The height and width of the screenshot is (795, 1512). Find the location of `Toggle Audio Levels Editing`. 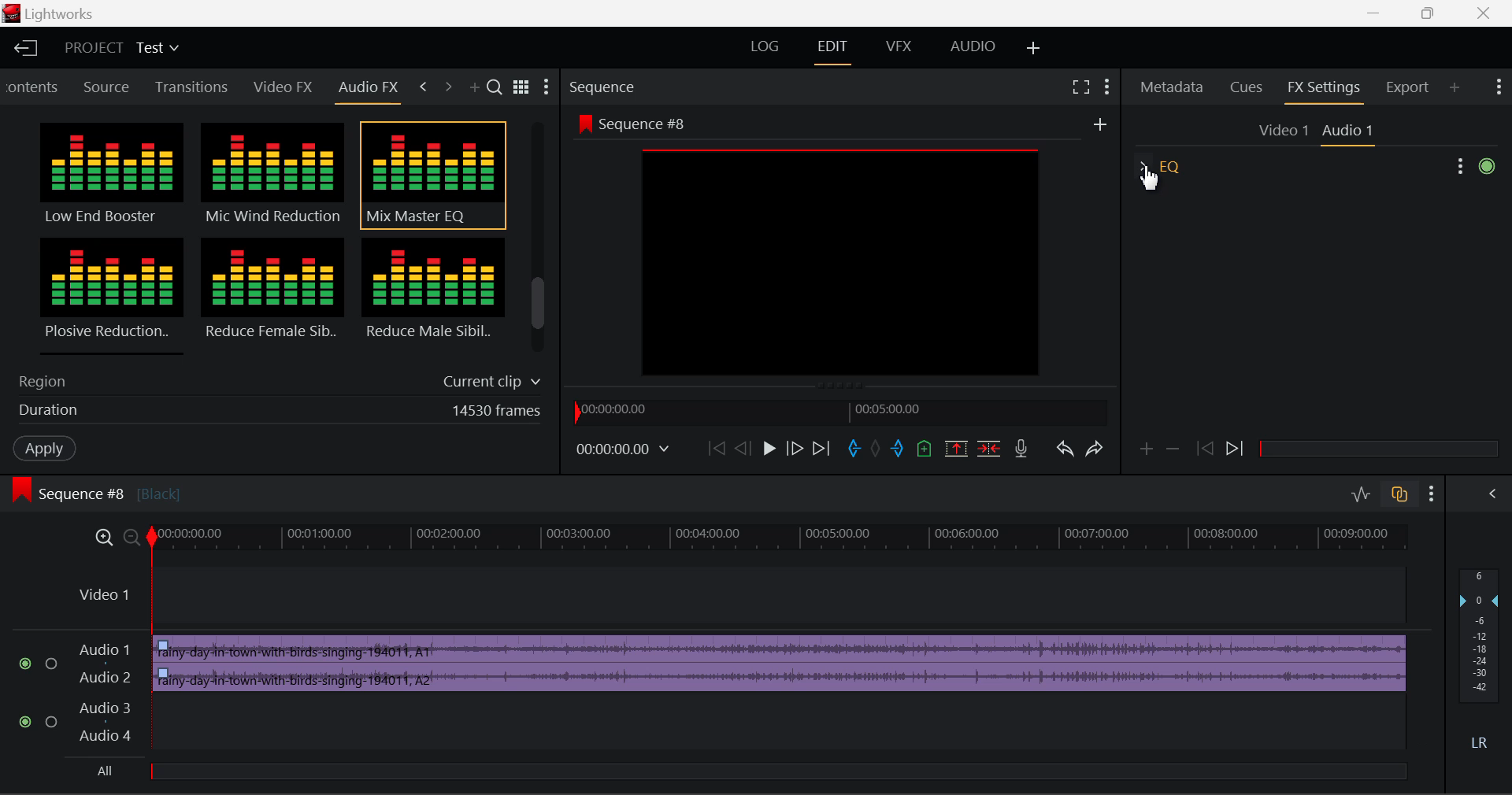

Toggle Audio Levels Editing is located at coordinates (1362, 495).